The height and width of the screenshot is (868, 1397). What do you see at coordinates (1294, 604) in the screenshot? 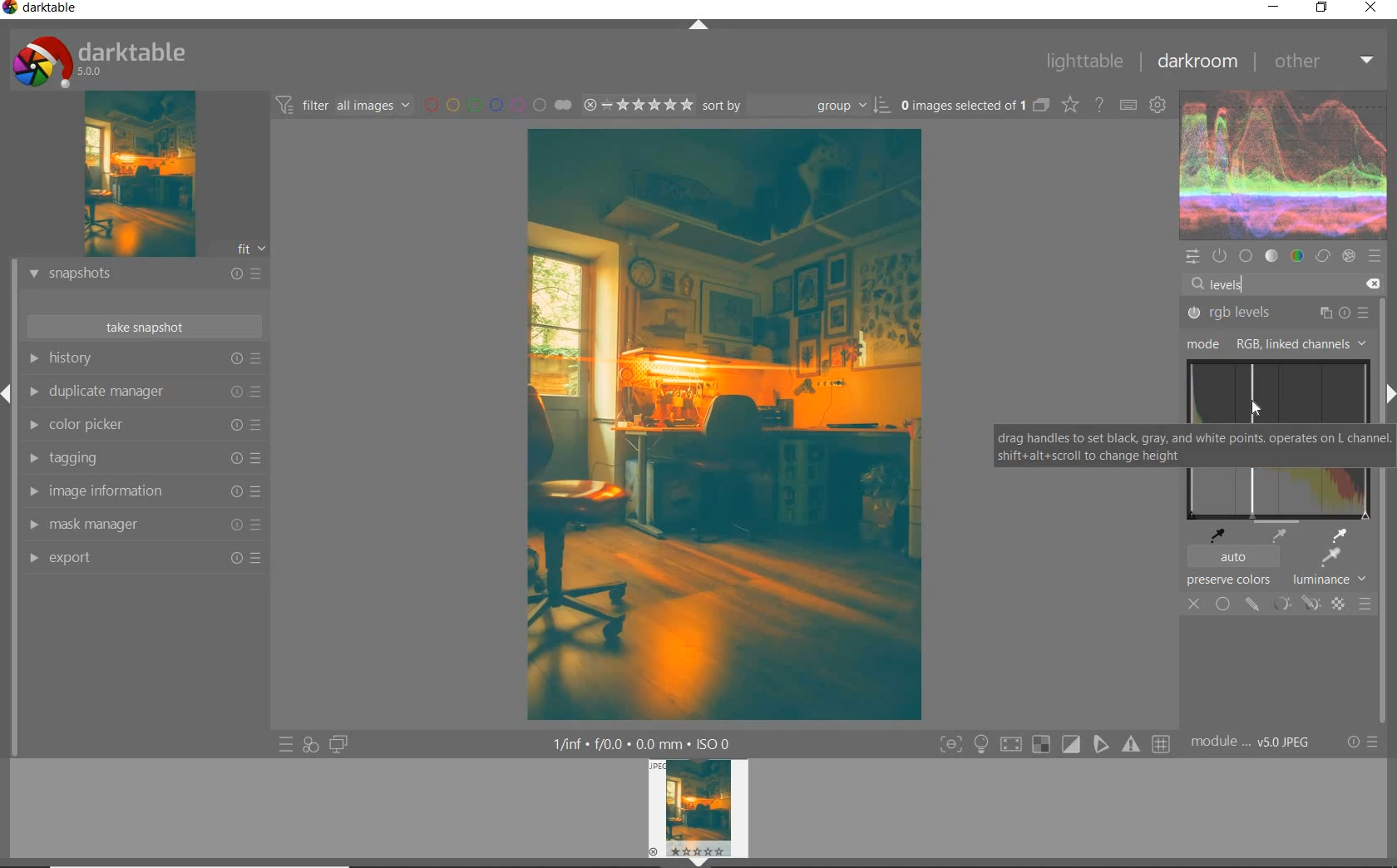
I see `mask options` at bounding box center [1294, 604].